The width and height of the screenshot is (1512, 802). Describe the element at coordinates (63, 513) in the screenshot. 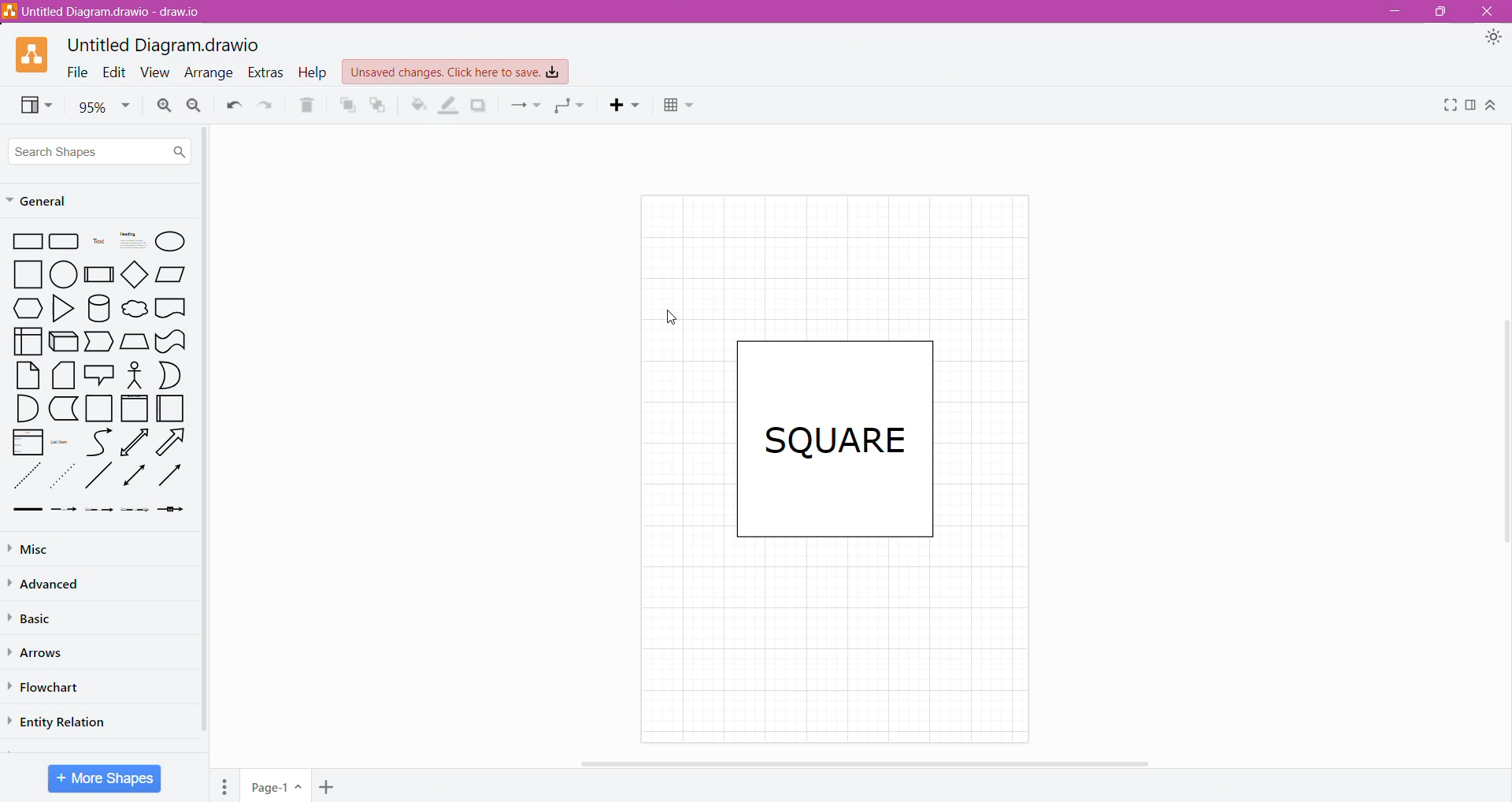

I see `Dashed Arrow` at that location.